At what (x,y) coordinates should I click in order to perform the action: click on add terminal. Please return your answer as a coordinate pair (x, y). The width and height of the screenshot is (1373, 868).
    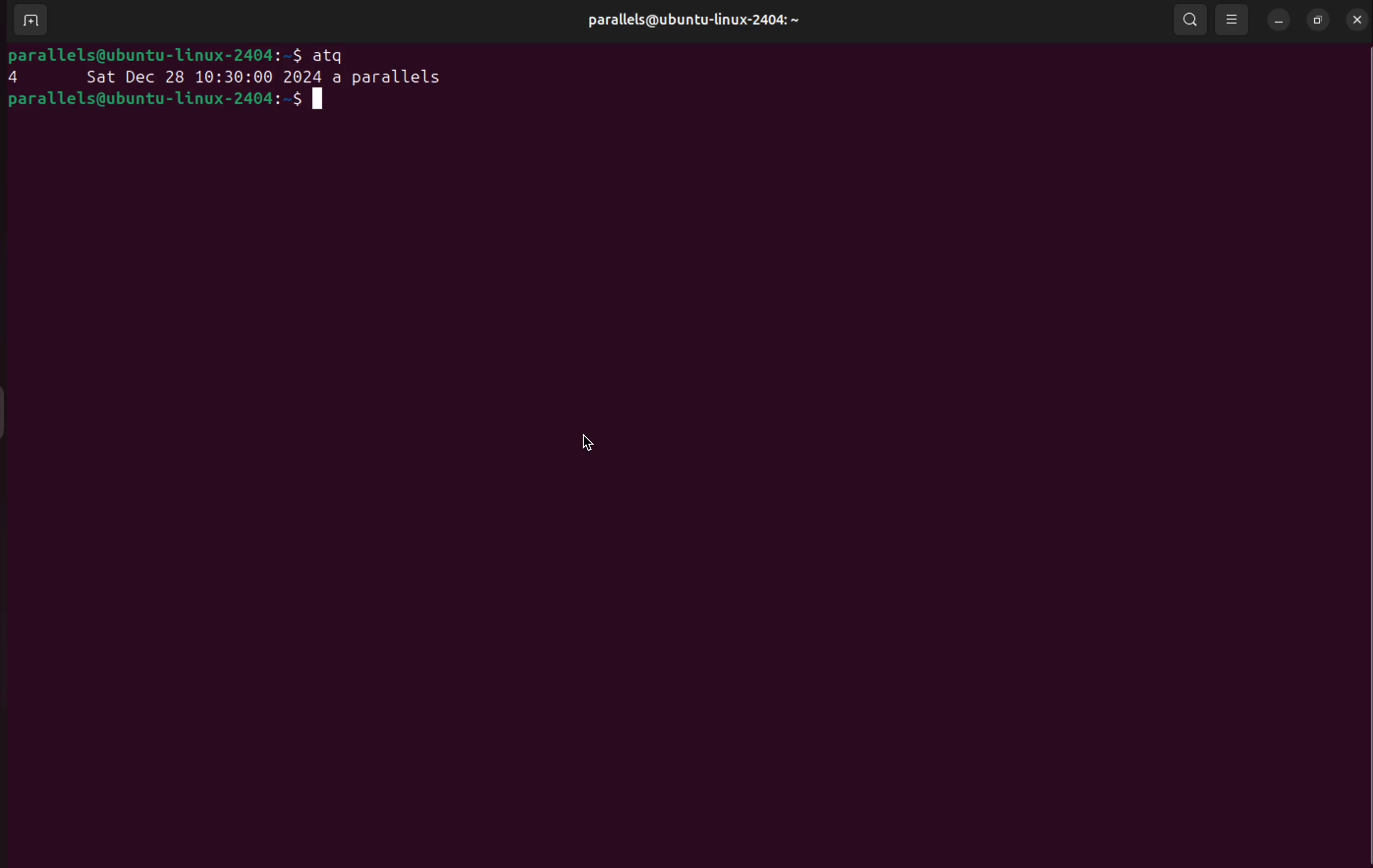
    Looking at the image, I should click on (30, 22).